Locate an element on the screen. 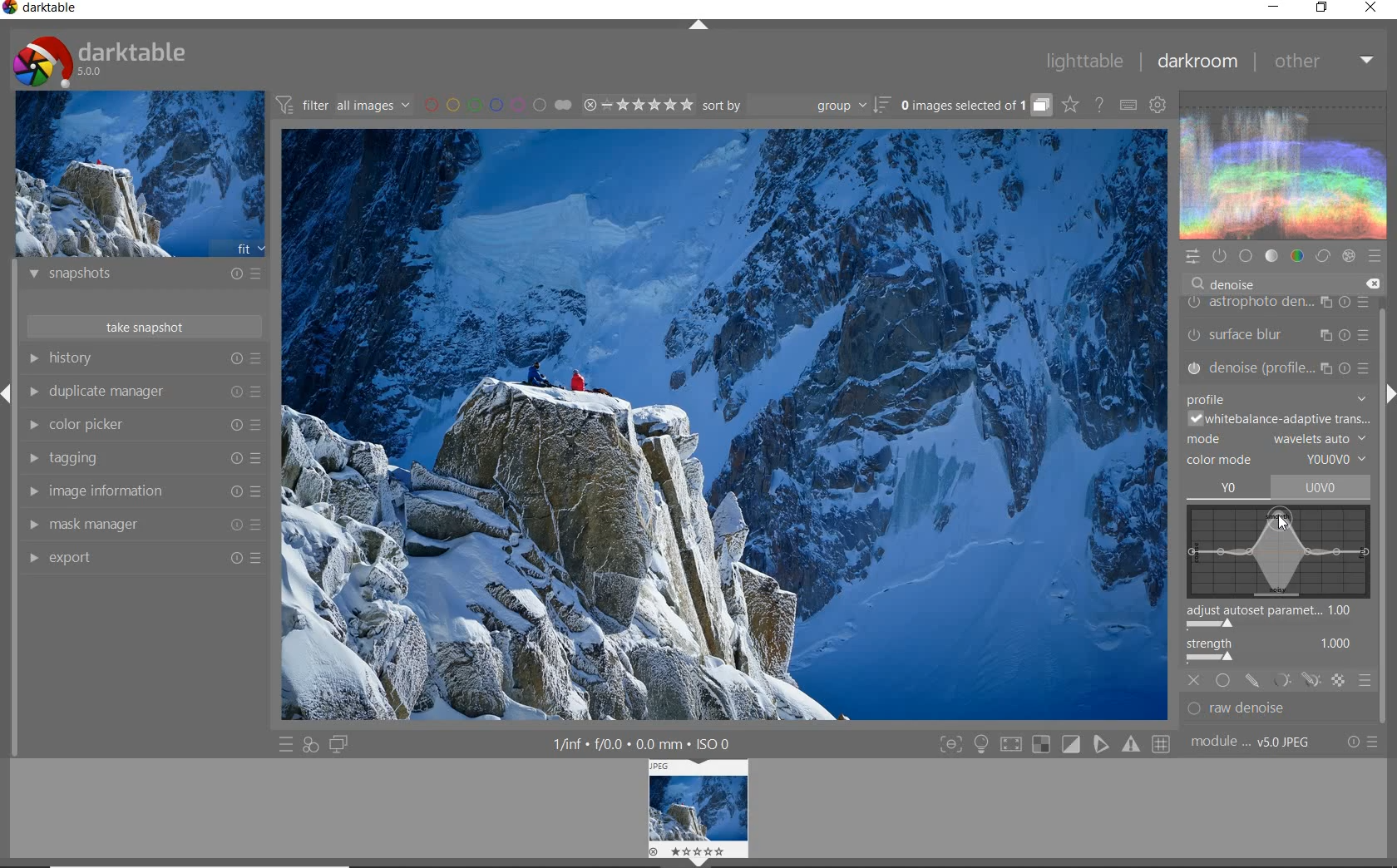  take snapshot is located at coordinates (147, 326).